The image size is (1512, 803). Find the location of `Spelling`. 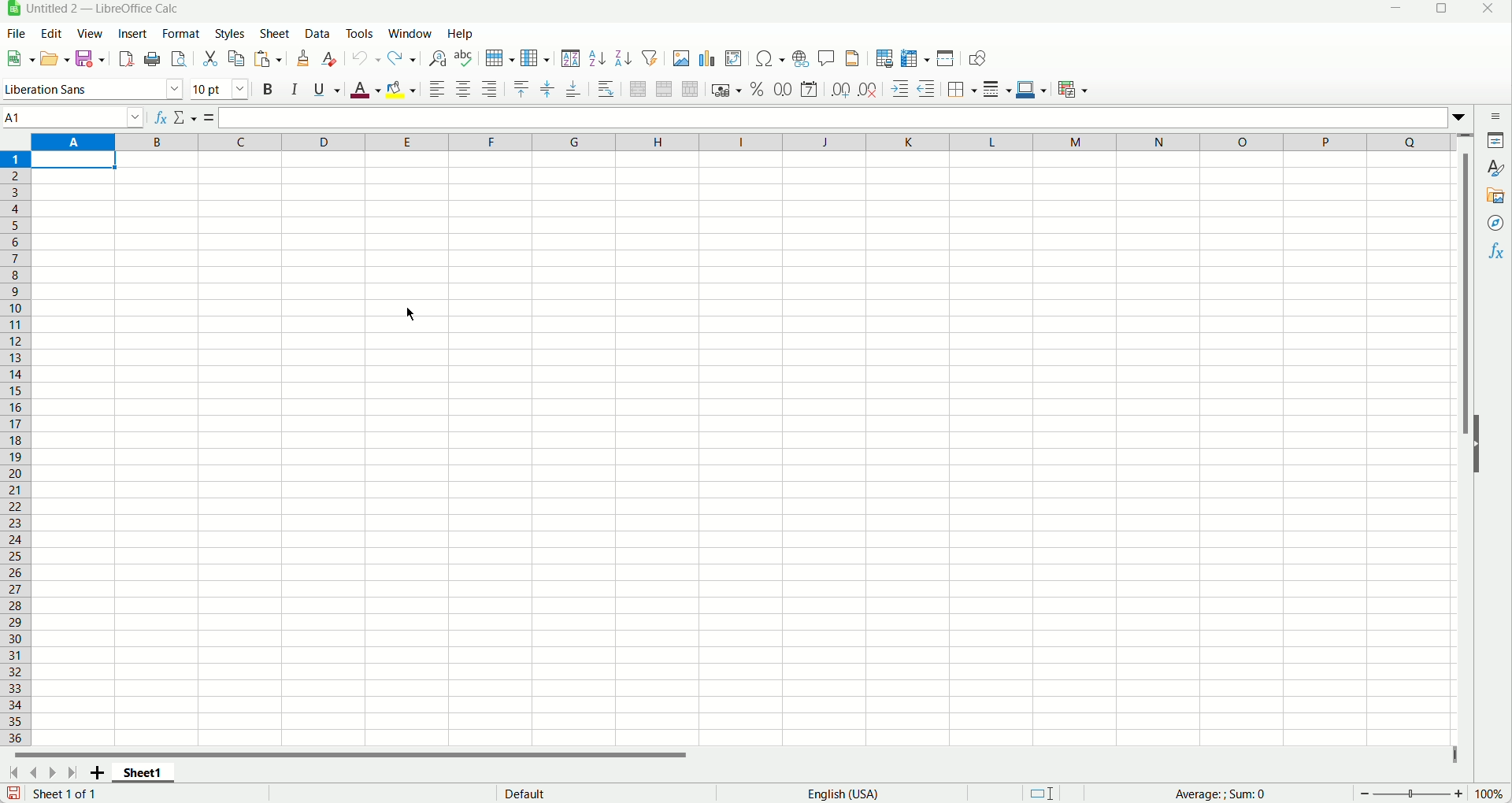

Spelling is located at coordinates (465, 58).